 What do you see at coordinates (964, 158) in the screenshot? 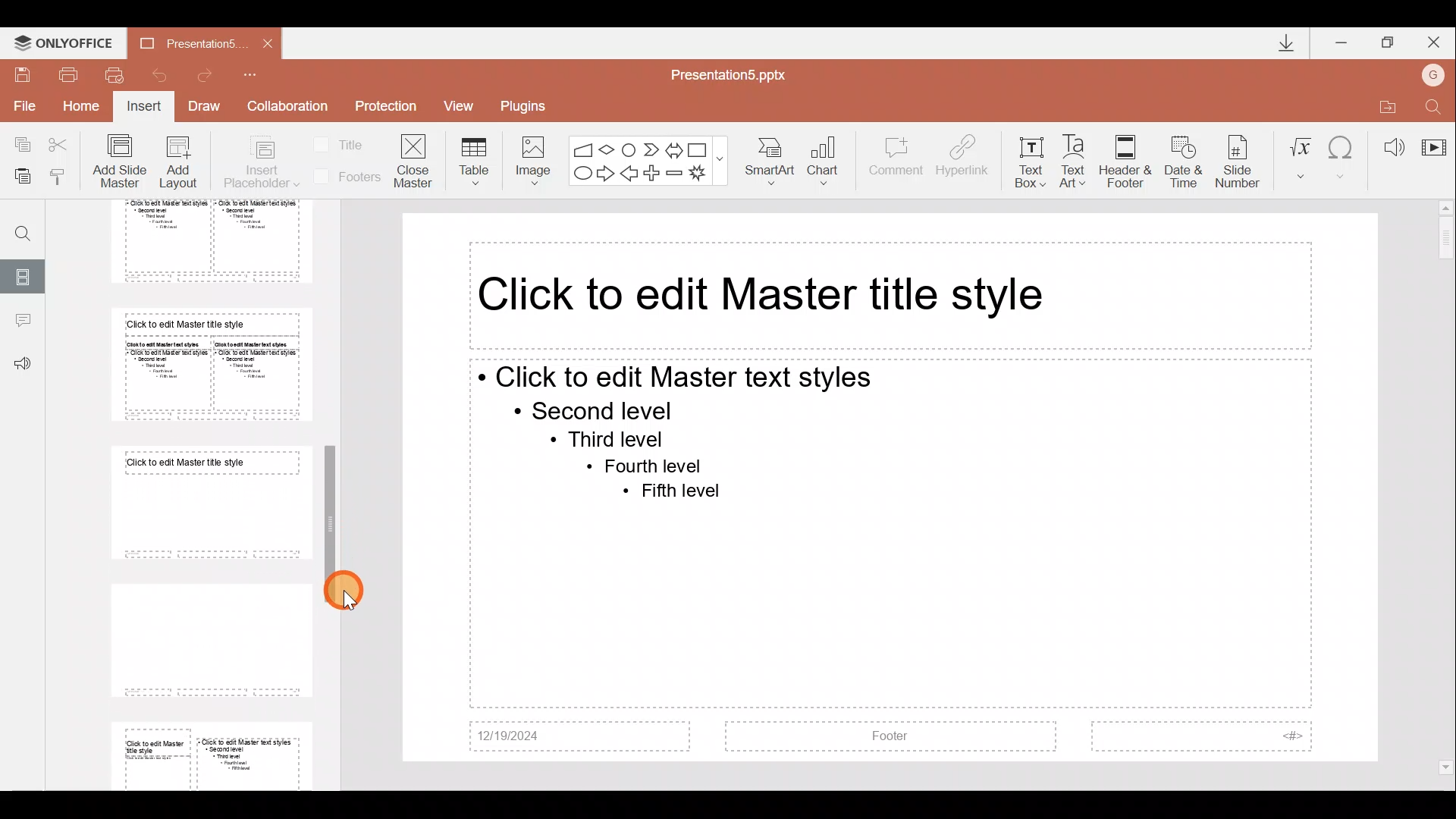
I see `Hyperlink` at bounding box center [964, 158].